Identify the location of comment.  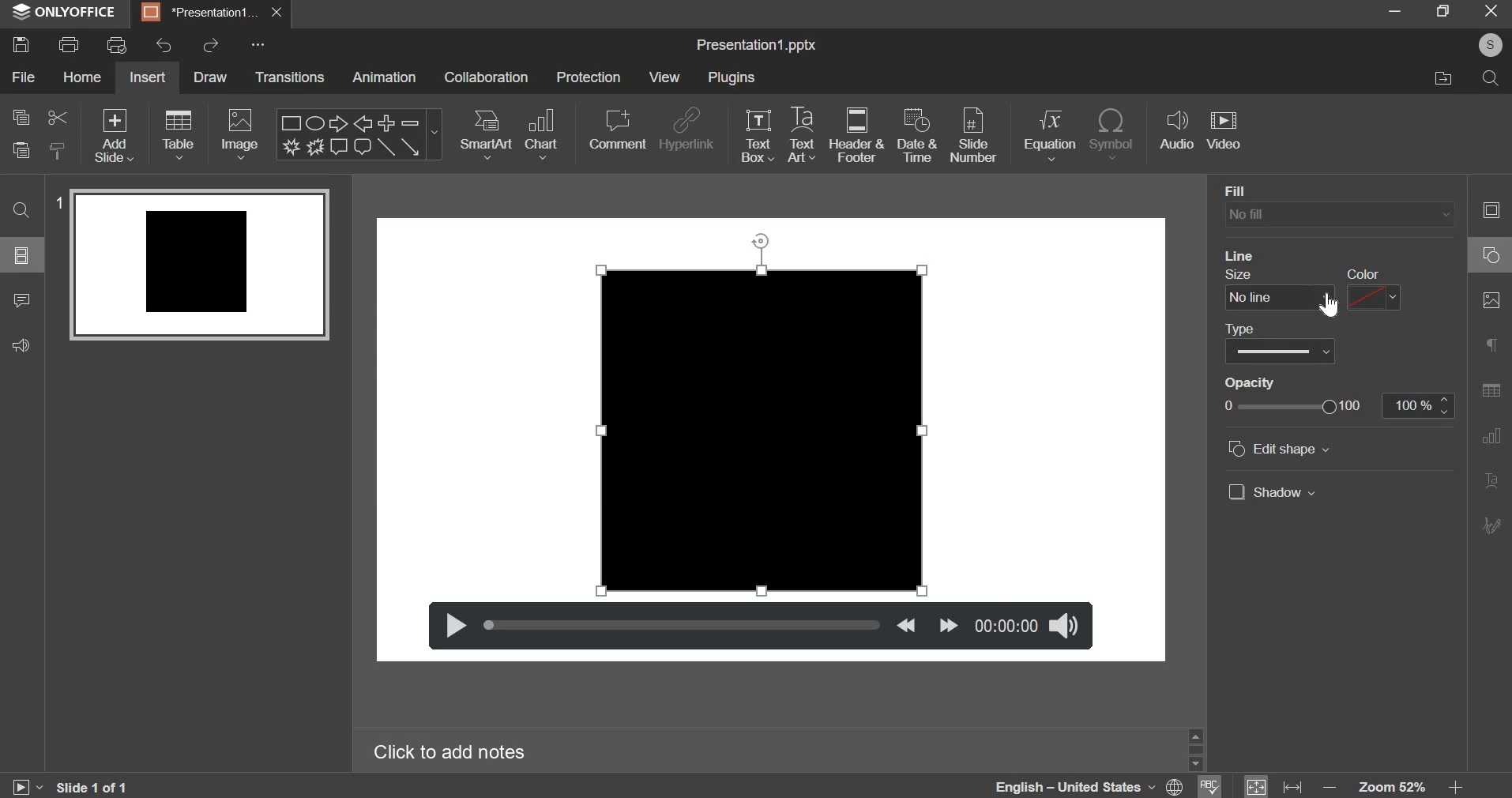
(20, 302).